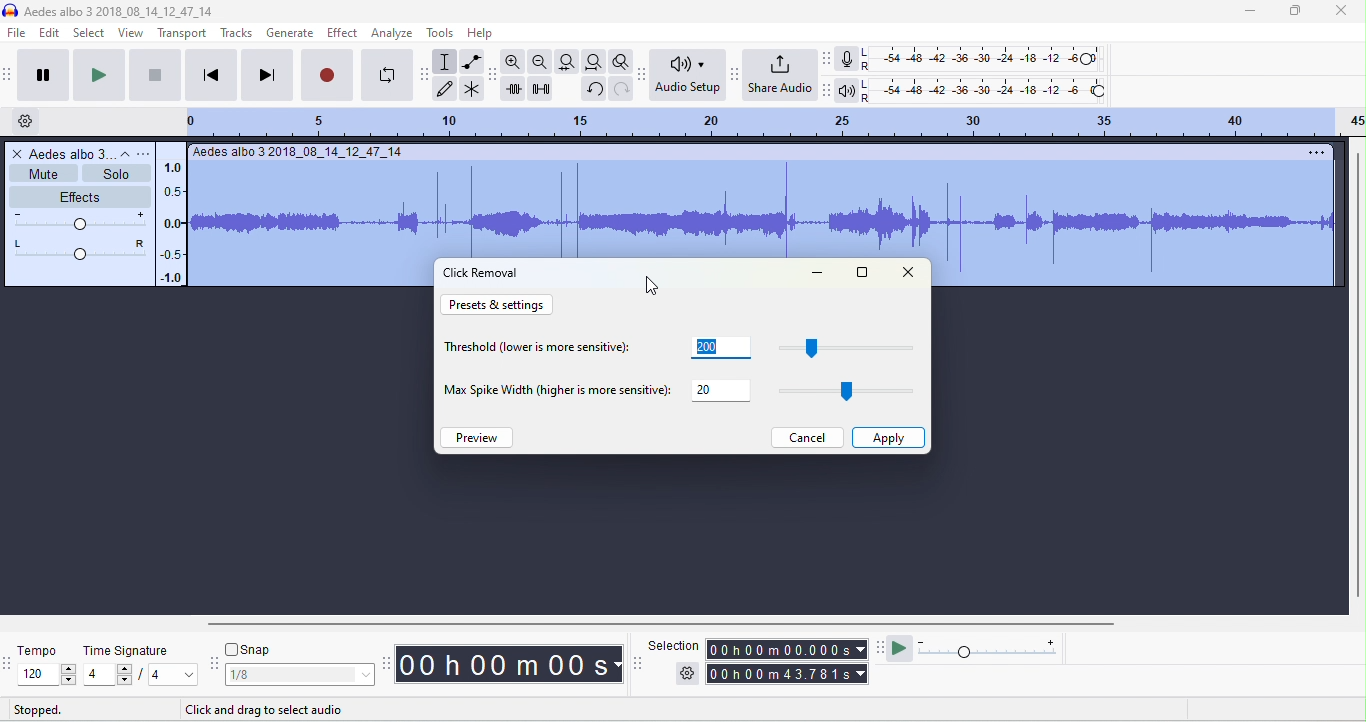  What do you see at coordinates (300, 153) in the screenshot?
I see `track title` at bounding box center [300, 153].